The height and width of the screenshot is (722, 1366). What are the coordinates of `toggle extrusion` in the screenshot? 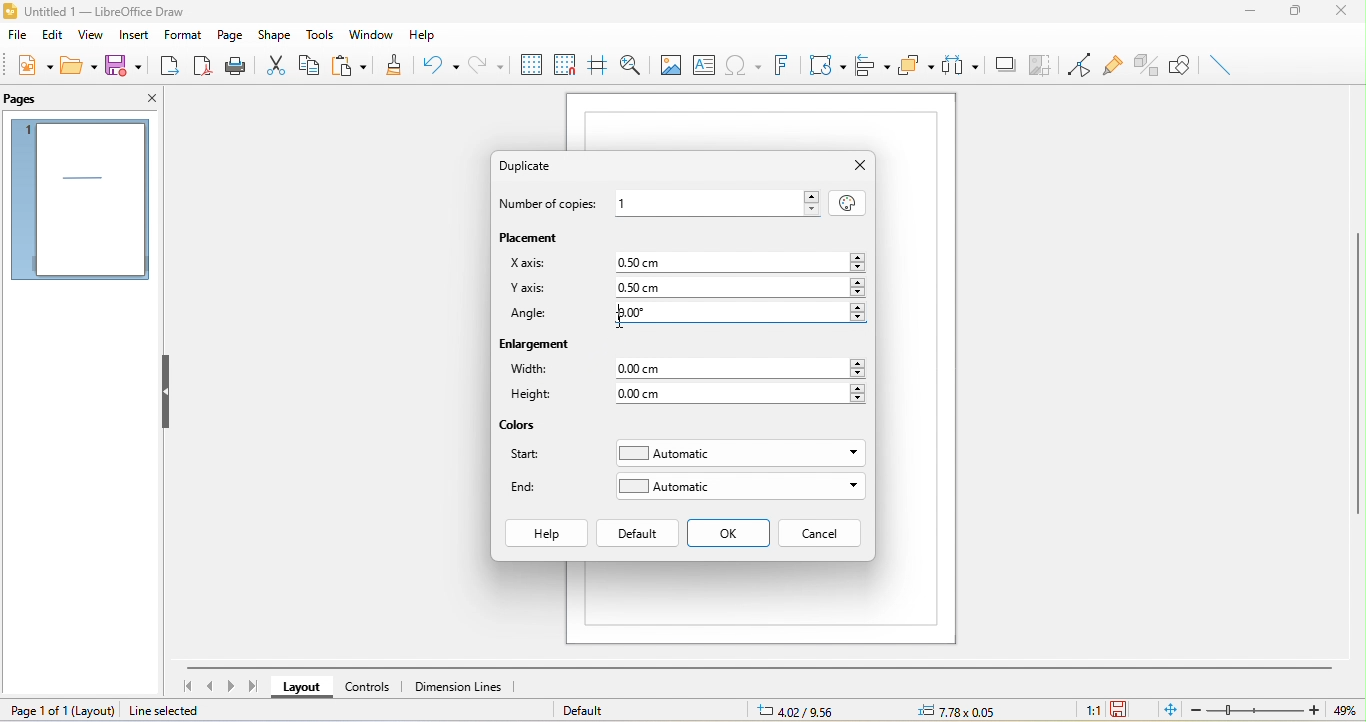 It's located at (1146, 65).